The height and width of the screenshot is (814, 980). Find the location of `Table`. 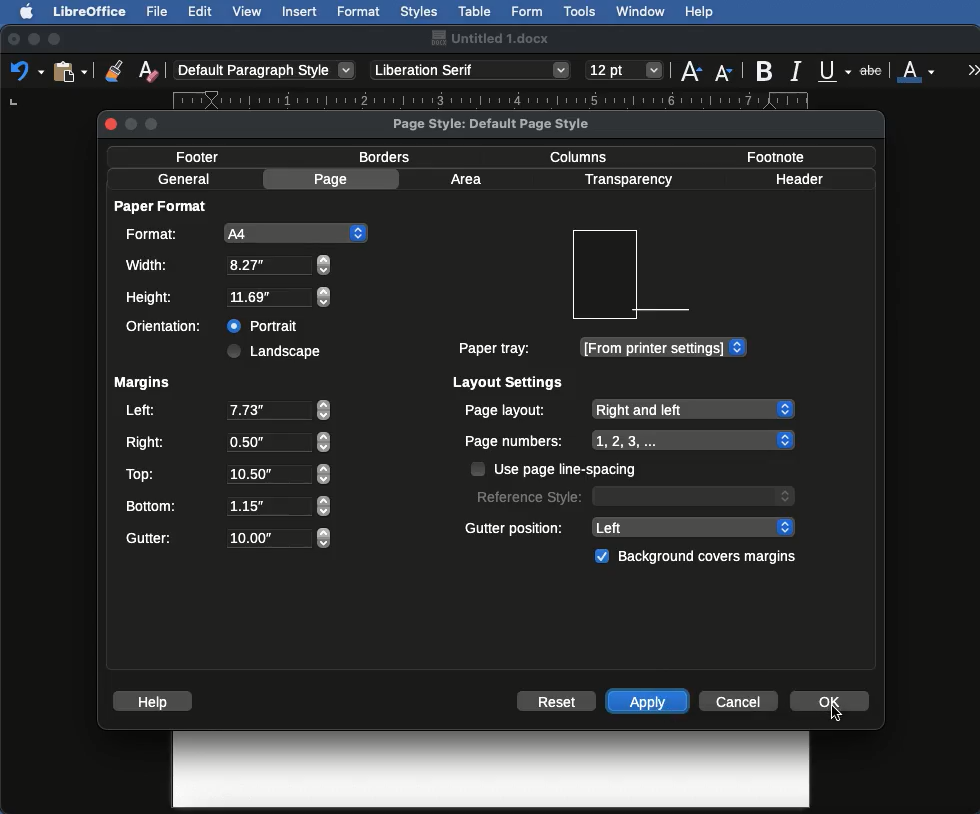

Table is located at coordinates (475, 9).